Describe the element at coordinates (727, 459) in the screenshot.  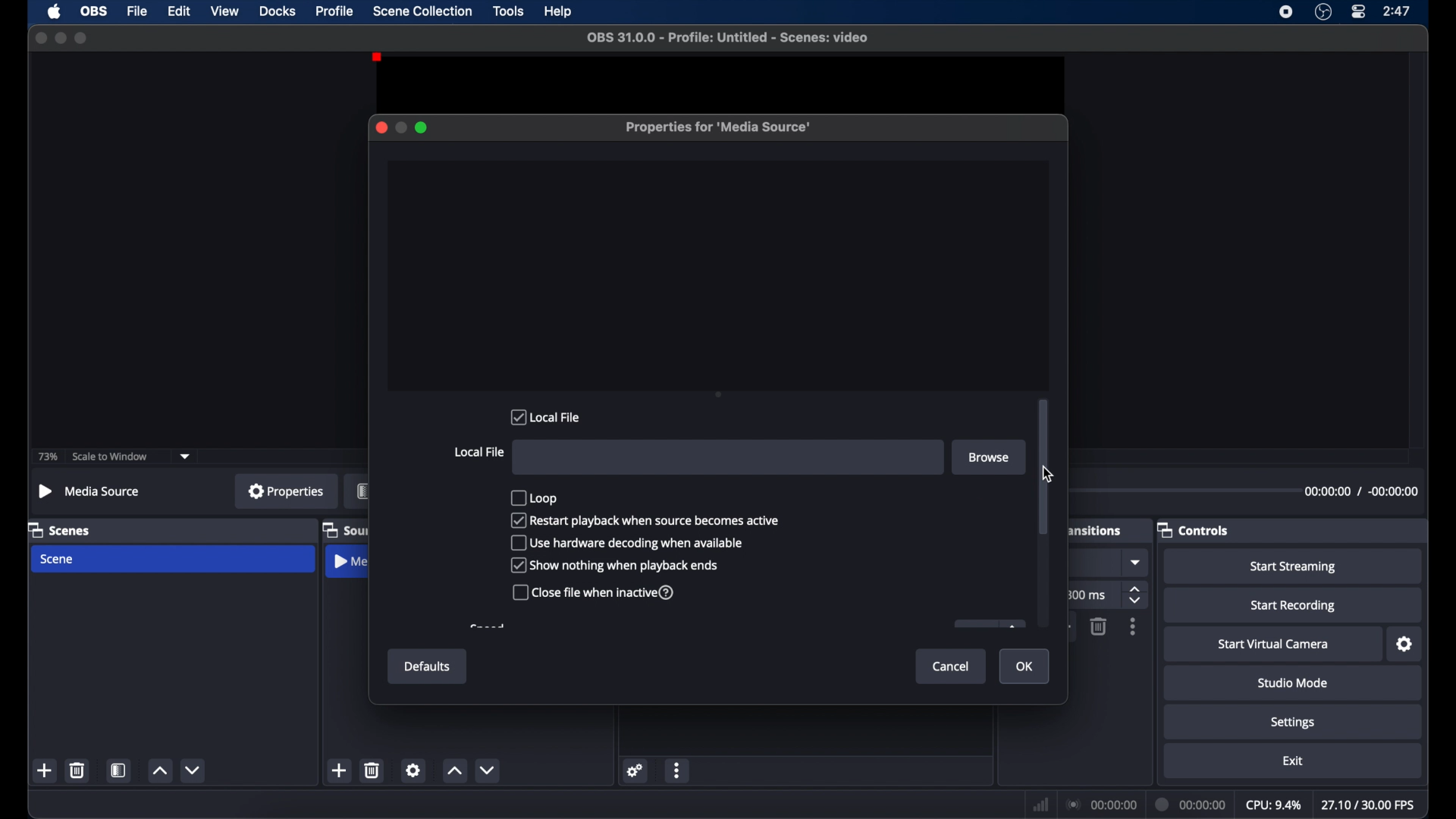
I see `File input` at that location.